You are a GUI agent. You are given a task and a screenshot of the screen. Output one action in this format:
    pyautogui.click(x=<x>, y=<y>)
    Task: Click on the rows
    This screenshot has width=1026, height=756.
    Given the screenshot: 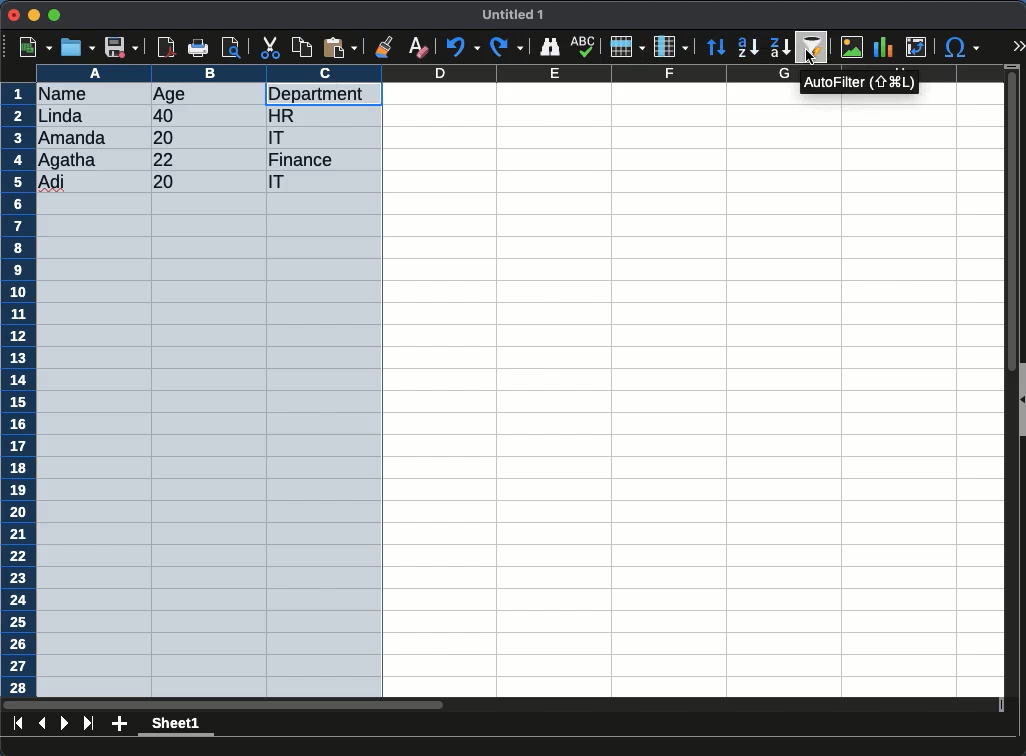 What is the action you would take?
    pyautogui.click(x=18, y=390)
    